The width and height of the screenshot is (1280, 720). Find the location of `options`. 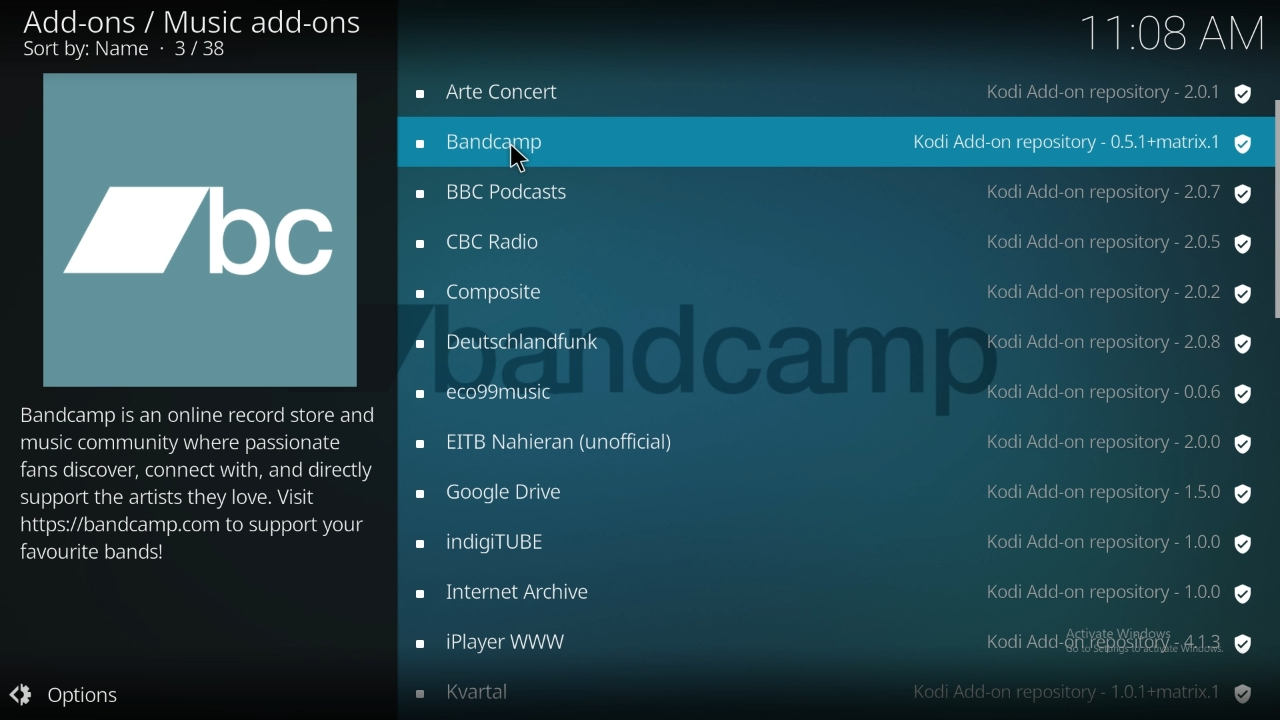

options is located at coordinates (66, 693).